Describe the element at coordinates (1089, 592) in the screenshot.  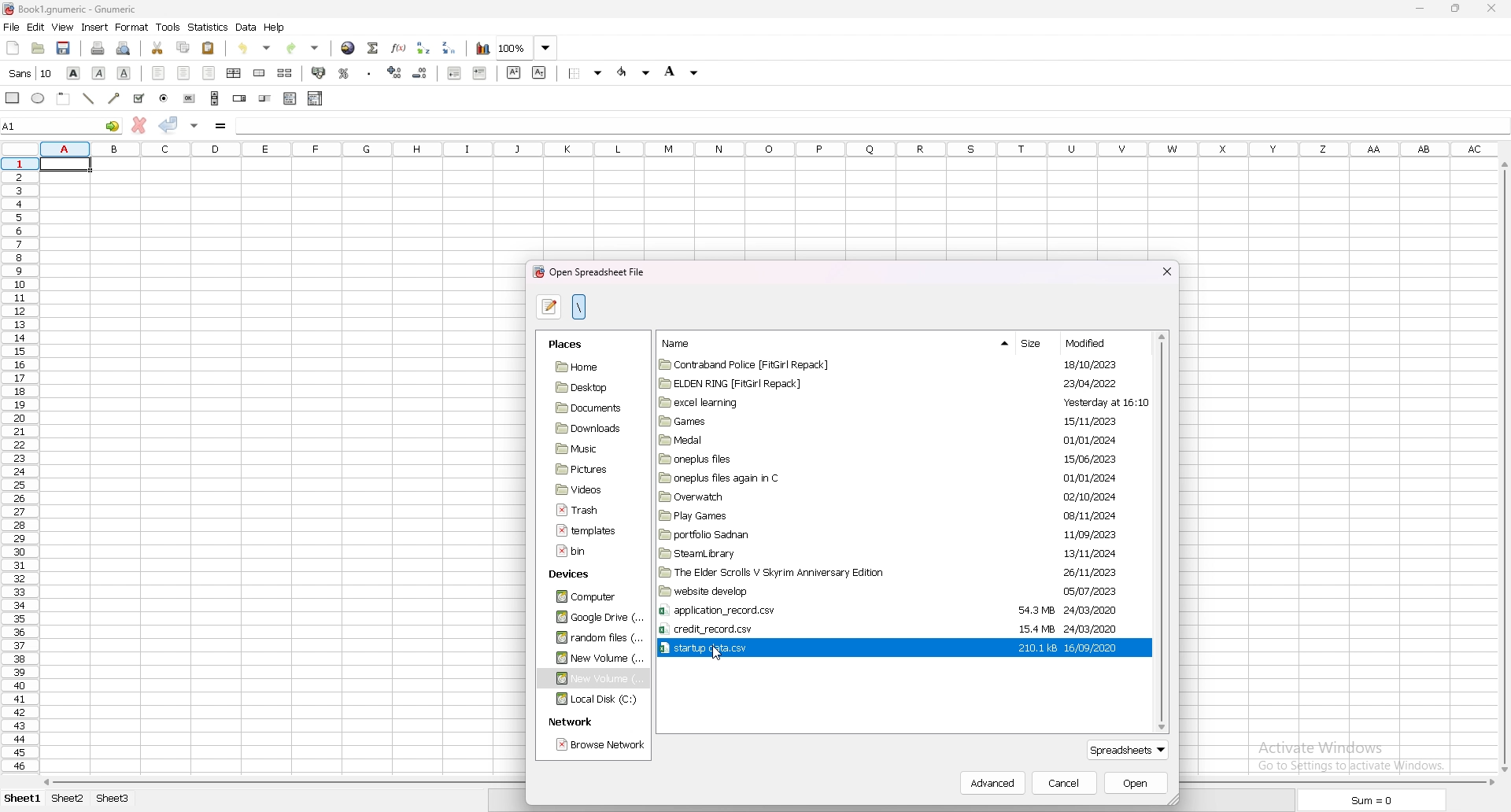
I see `05/07/2023` at that location.